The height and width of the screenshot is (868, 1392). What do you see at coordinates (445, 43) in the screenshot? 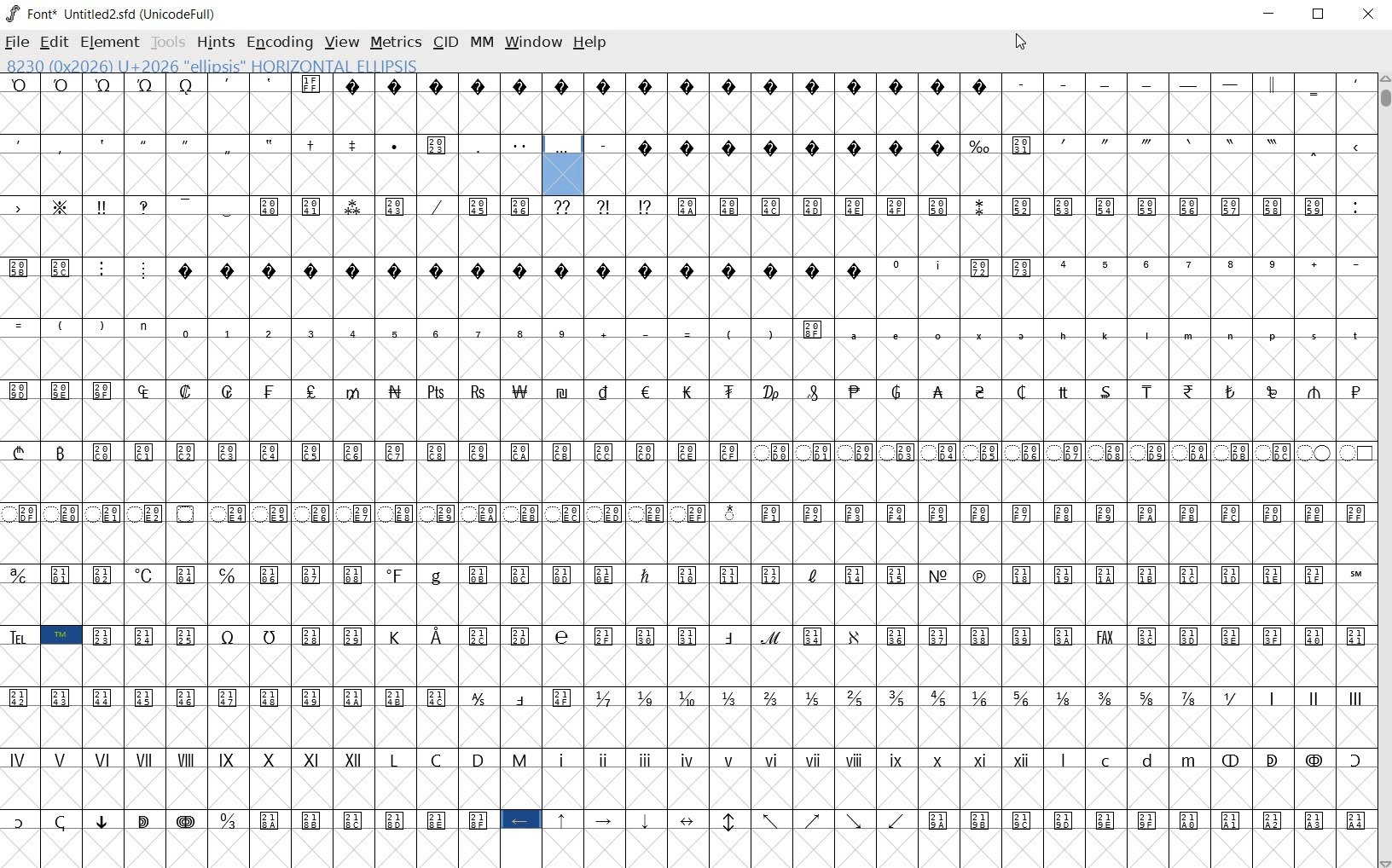
I see `CID` at bounding box center [445, 43].